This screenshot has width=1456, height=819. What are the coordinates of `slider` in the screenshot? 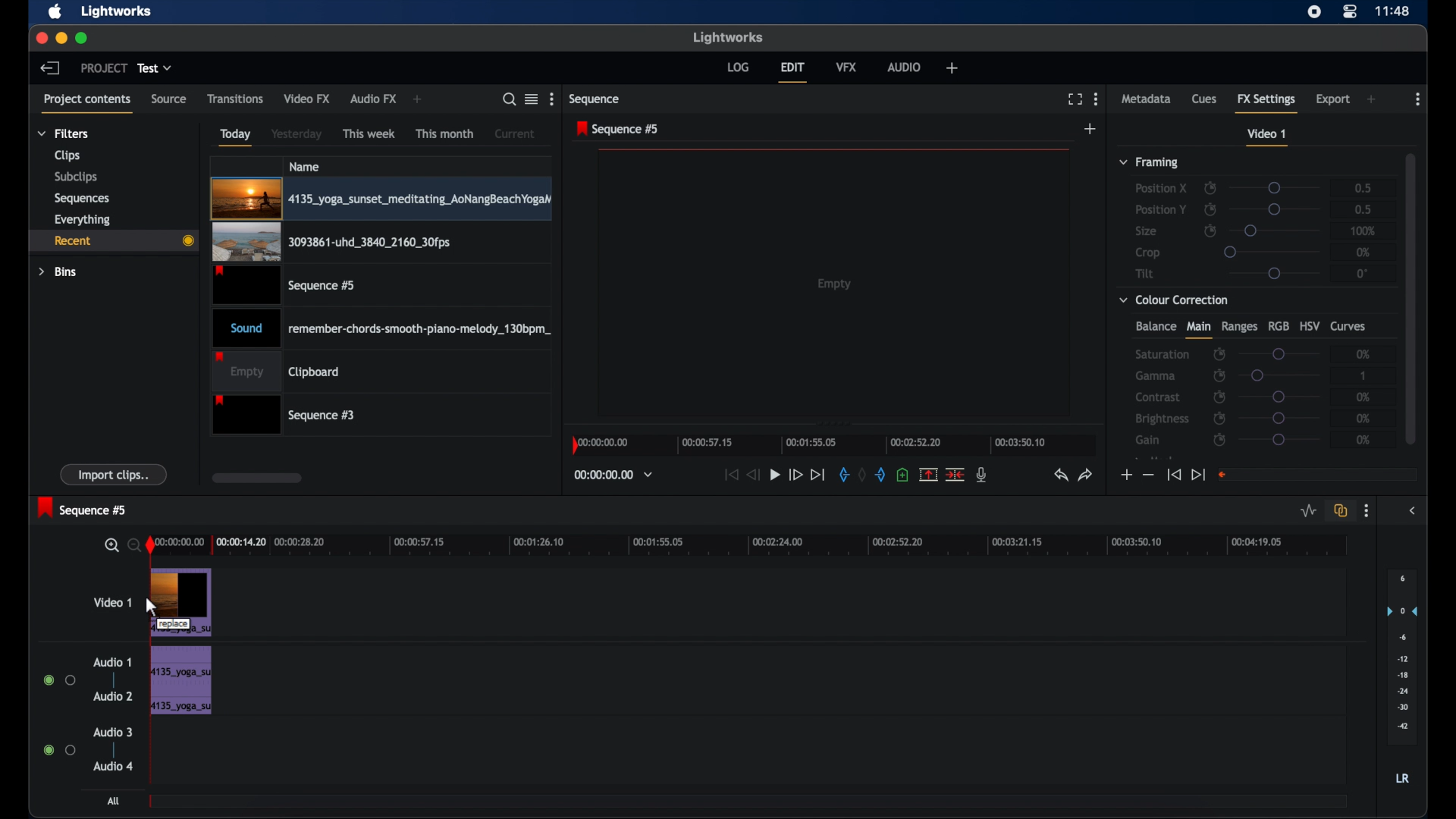 It's located at (1273, 251).